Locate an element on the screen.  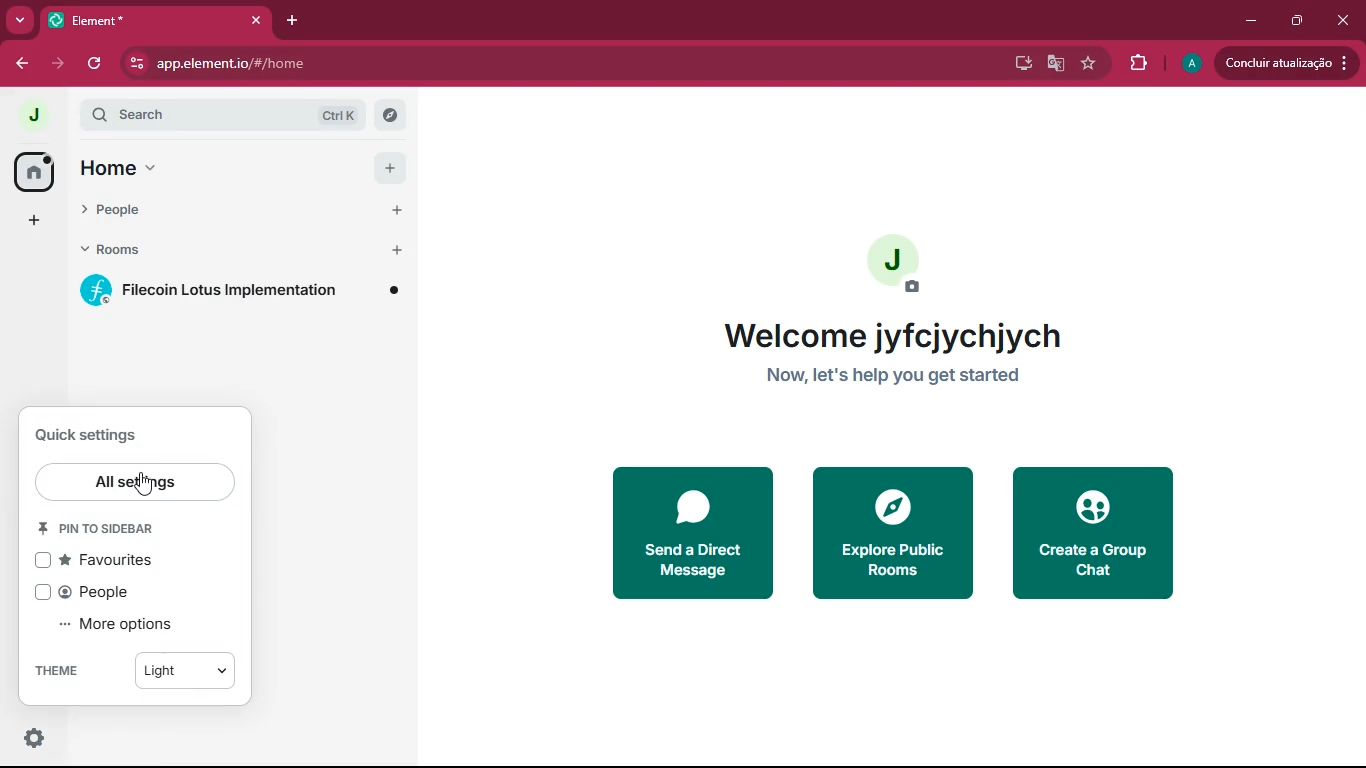
start chart is located at coordinates (396, 212).